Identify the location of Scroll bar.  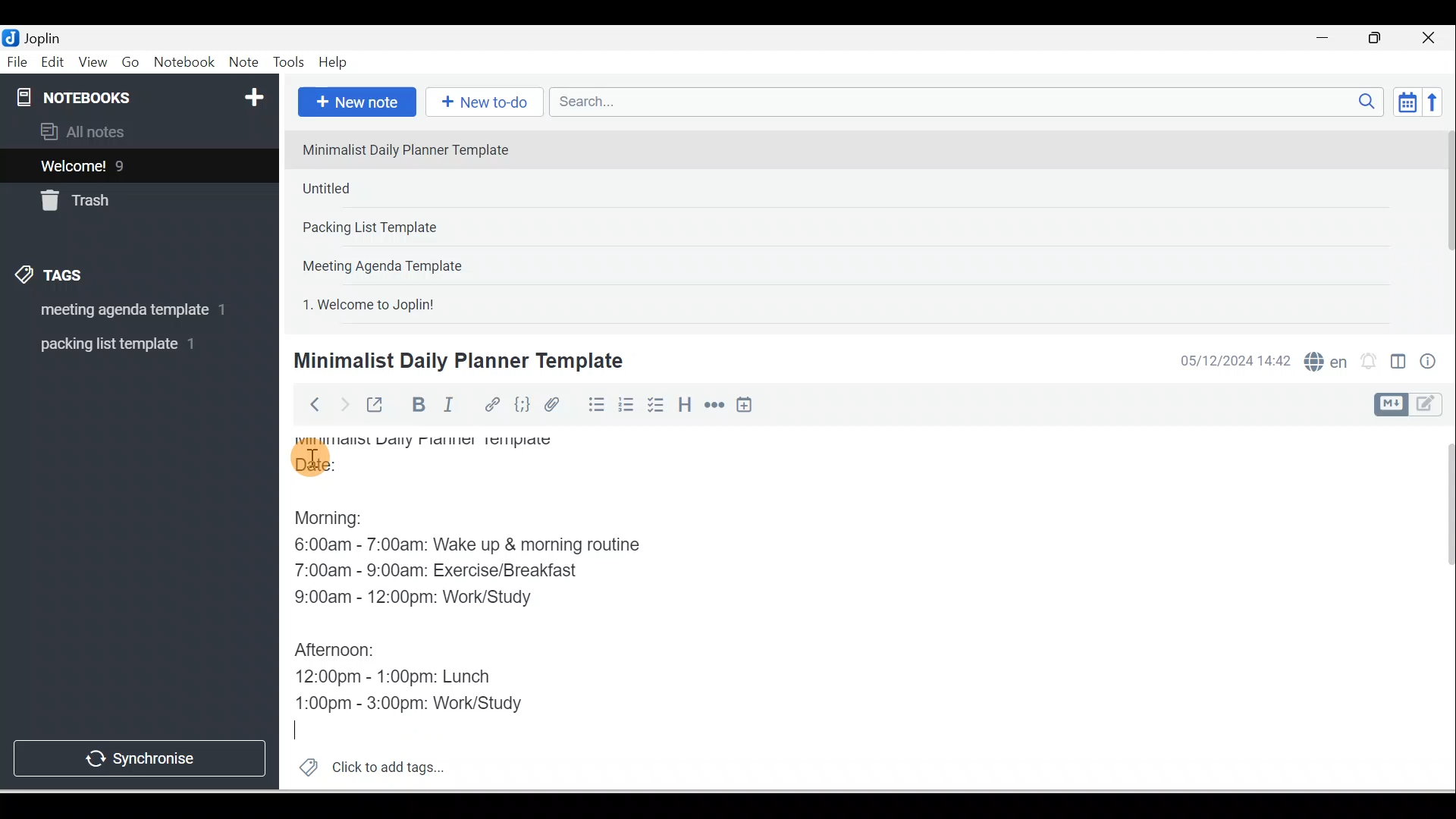
(1444, 224).